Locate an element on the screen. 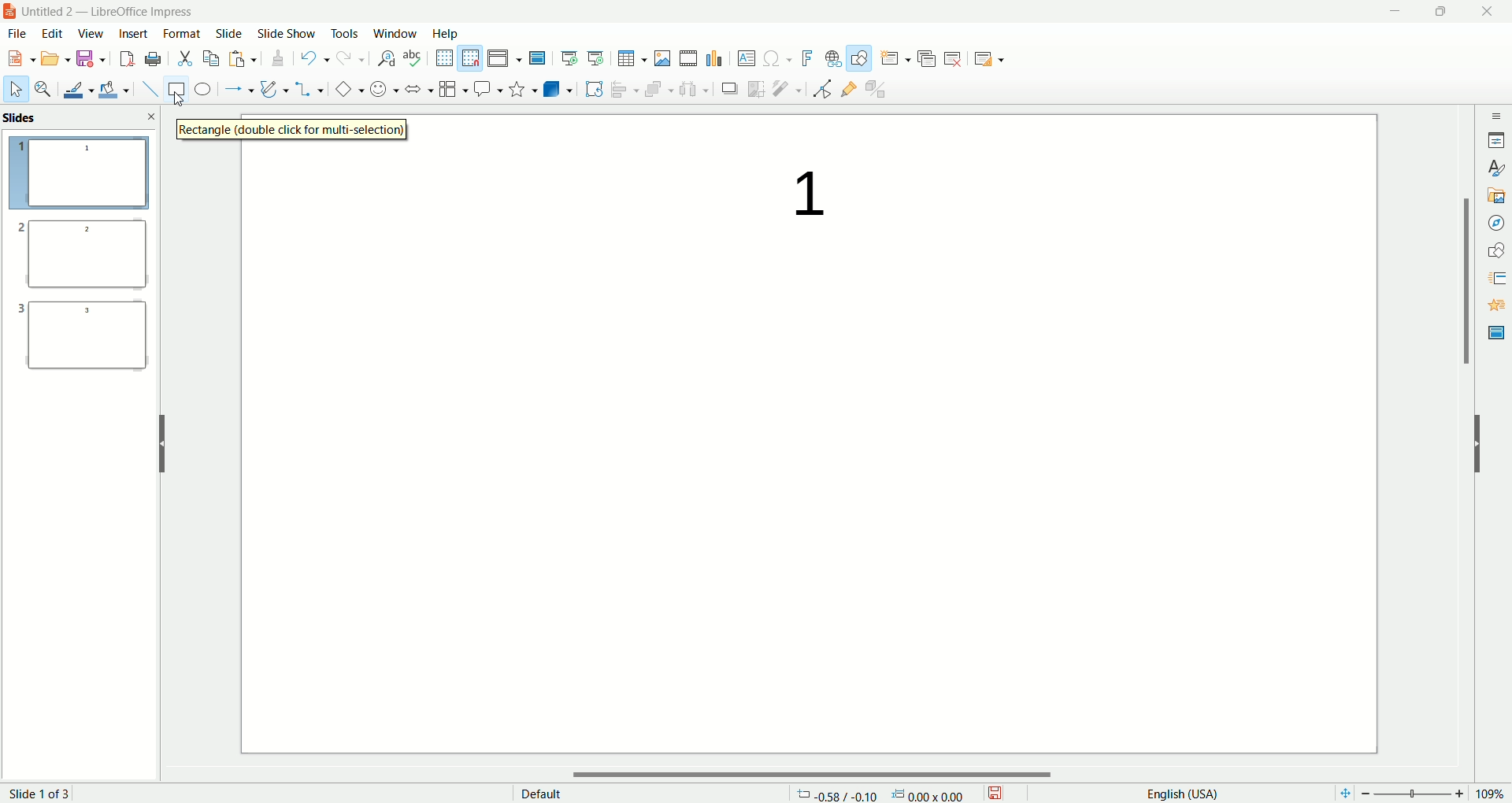  print is located at coordinates (153, 58).